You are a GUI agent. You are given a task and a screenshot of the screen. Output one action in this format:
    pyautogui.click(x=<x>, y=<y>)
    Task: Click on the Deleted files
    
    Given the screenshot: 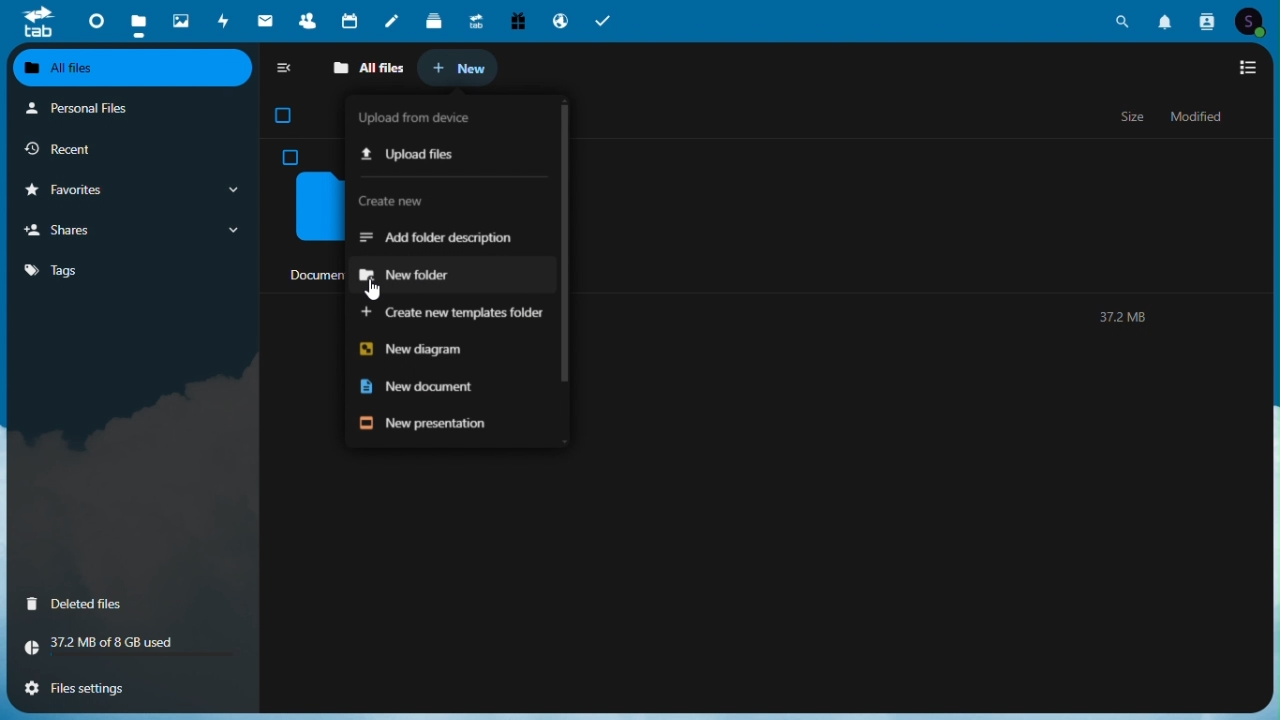 What is the action you would take?
    pyautogui.click(x=127, y=605)
    